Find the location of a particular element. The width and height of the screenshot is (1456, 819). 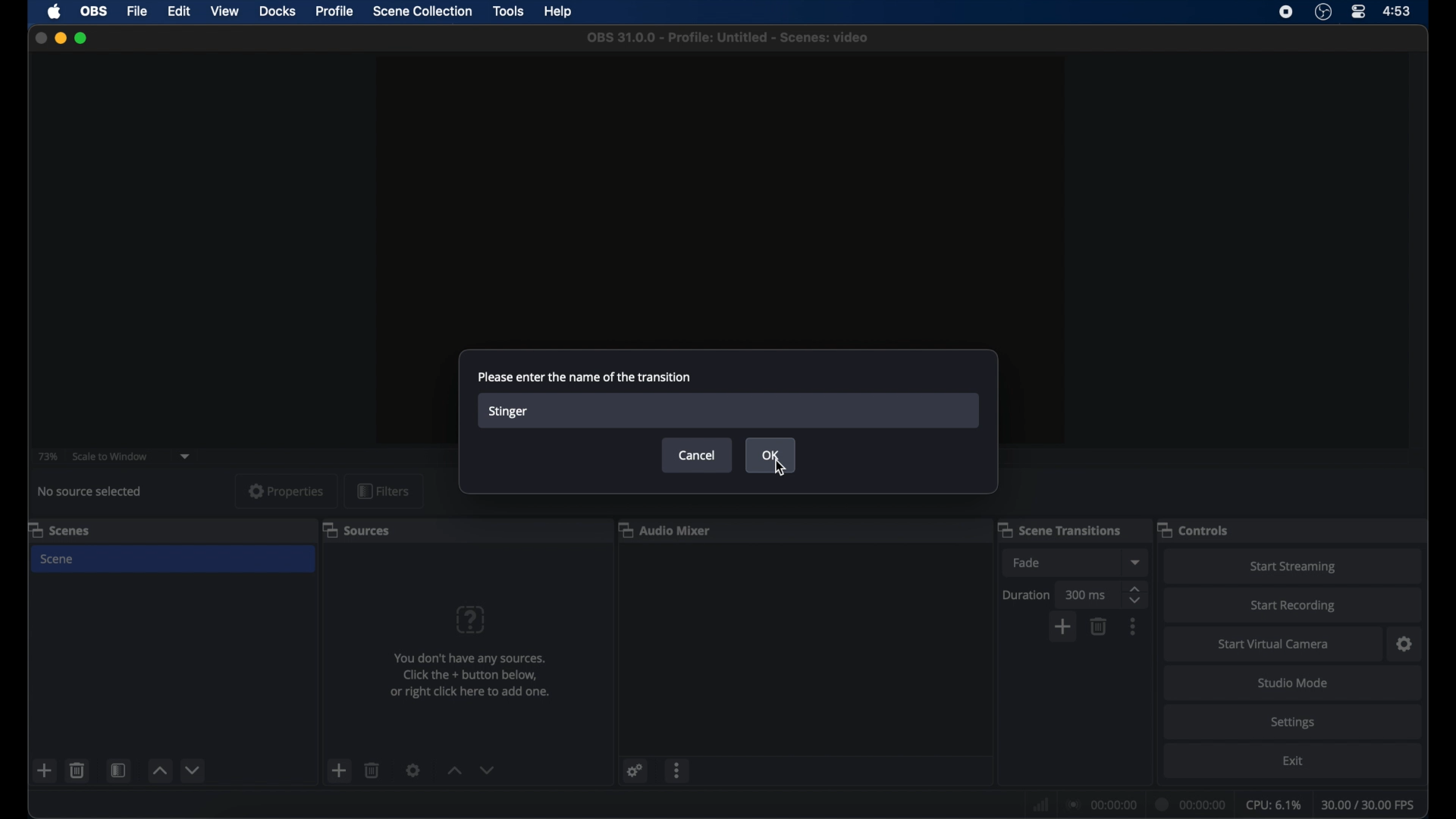

delete is located at coordinates (77, 769).